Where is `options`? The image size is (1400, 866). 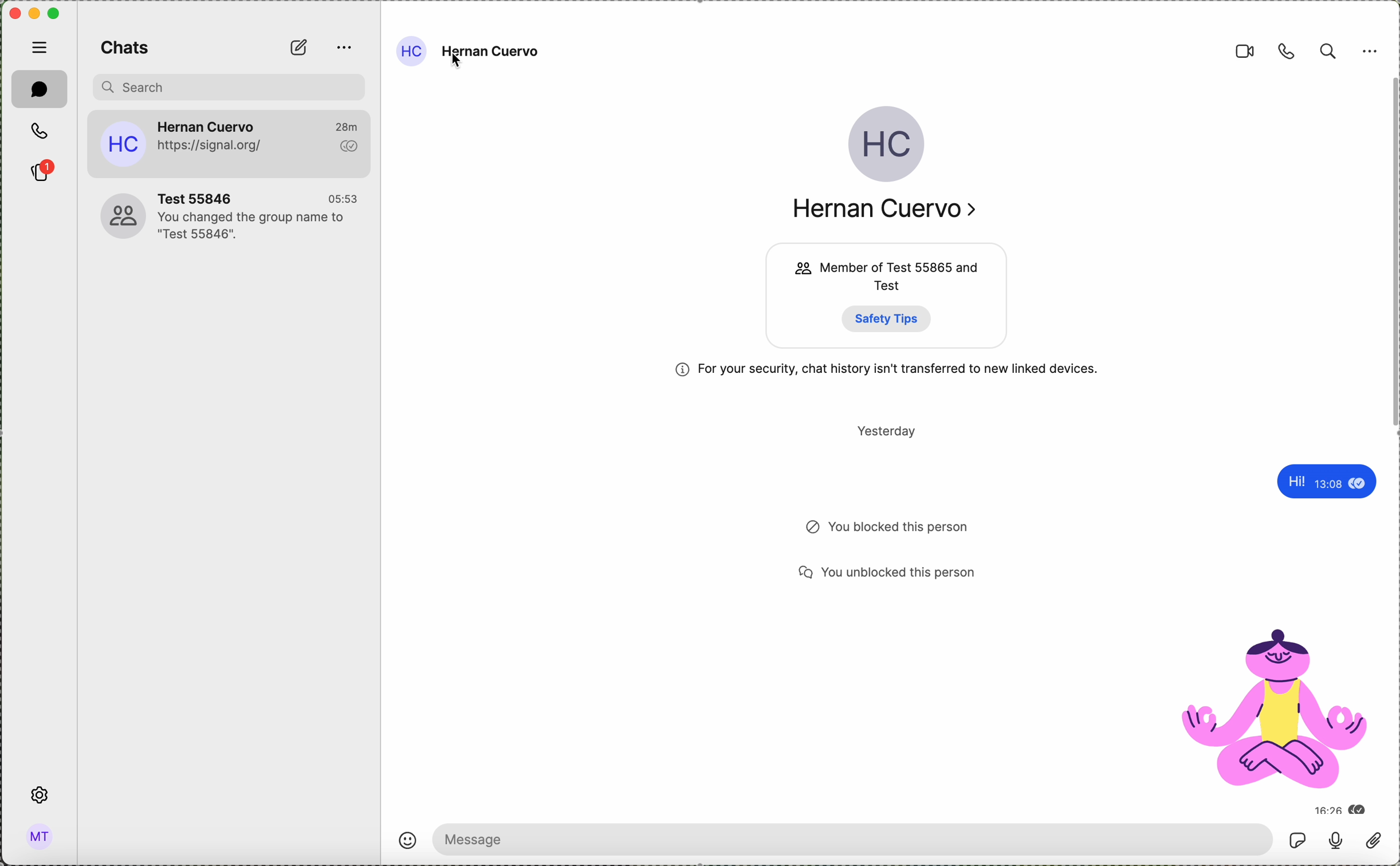
options is located at coordinates (342, 49).